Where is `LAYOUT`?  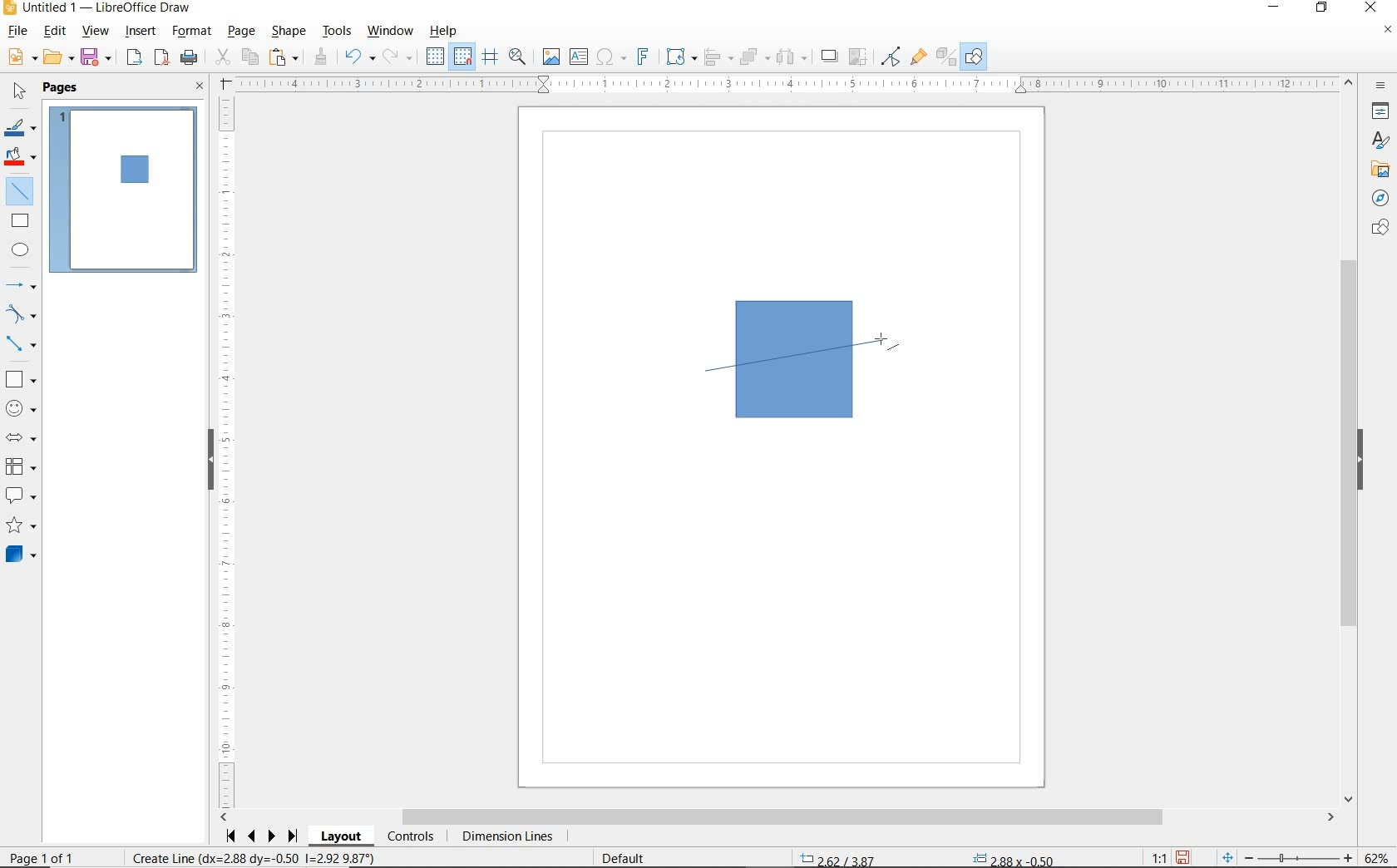
LAYOUT is located at coordinates (343, 836).